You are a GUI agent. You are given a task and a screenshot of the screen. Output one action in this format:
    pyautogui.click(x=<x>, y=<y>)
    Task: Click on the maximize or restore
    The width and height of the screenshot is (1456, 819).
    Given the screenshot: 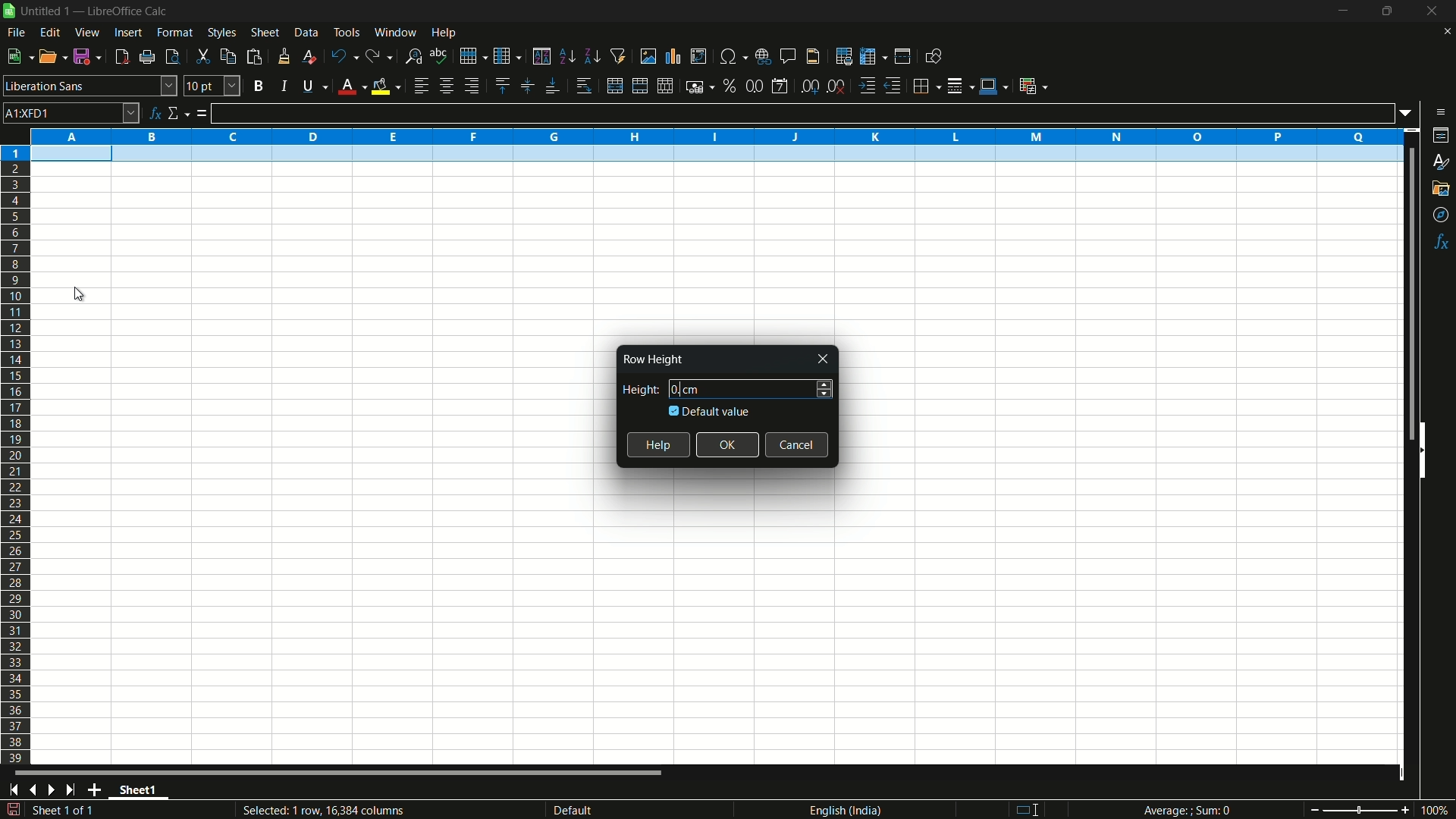 What is the action you would take?
    pyautogui.click(x=1387, y=11)
    